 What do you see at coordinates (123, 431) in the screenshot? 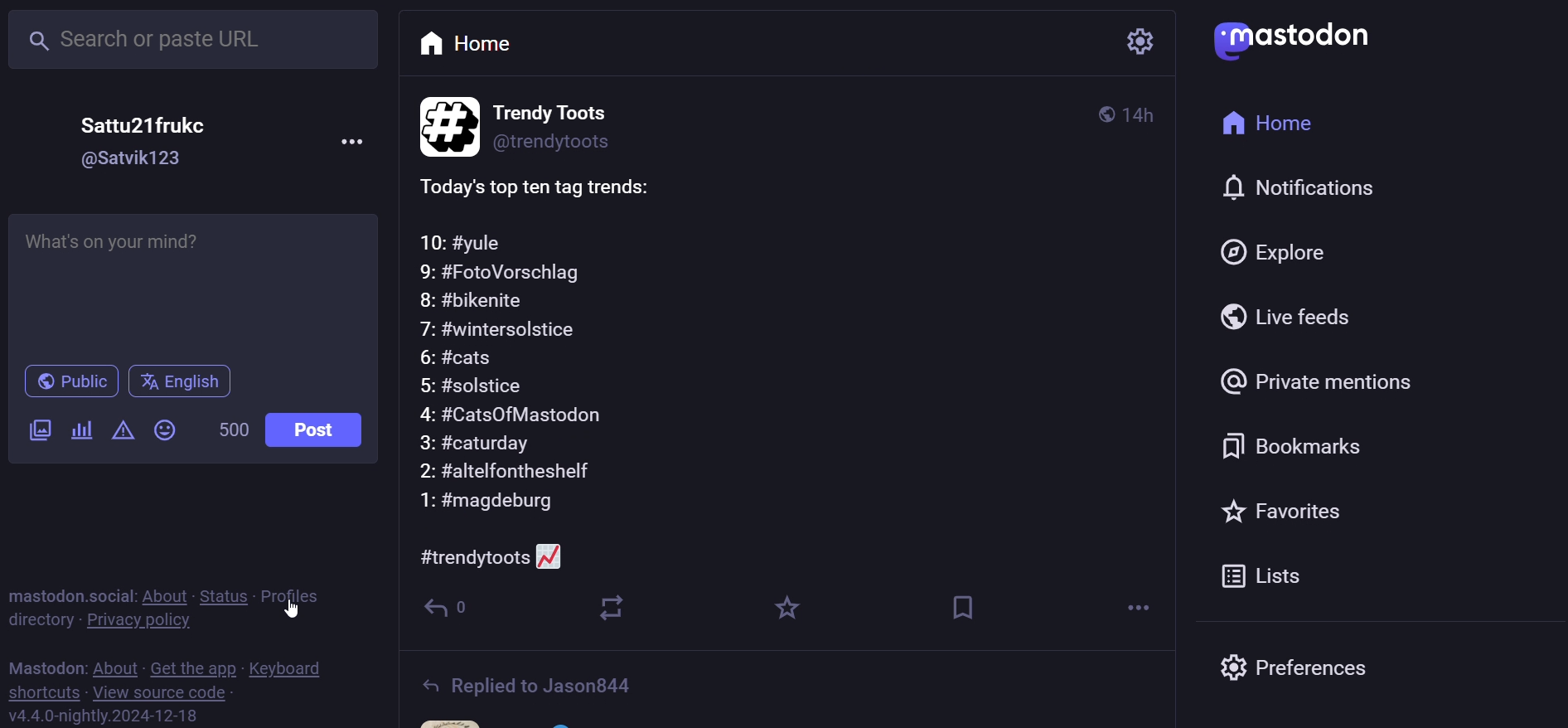
I see `content warning` at bounding box center [123, 431].